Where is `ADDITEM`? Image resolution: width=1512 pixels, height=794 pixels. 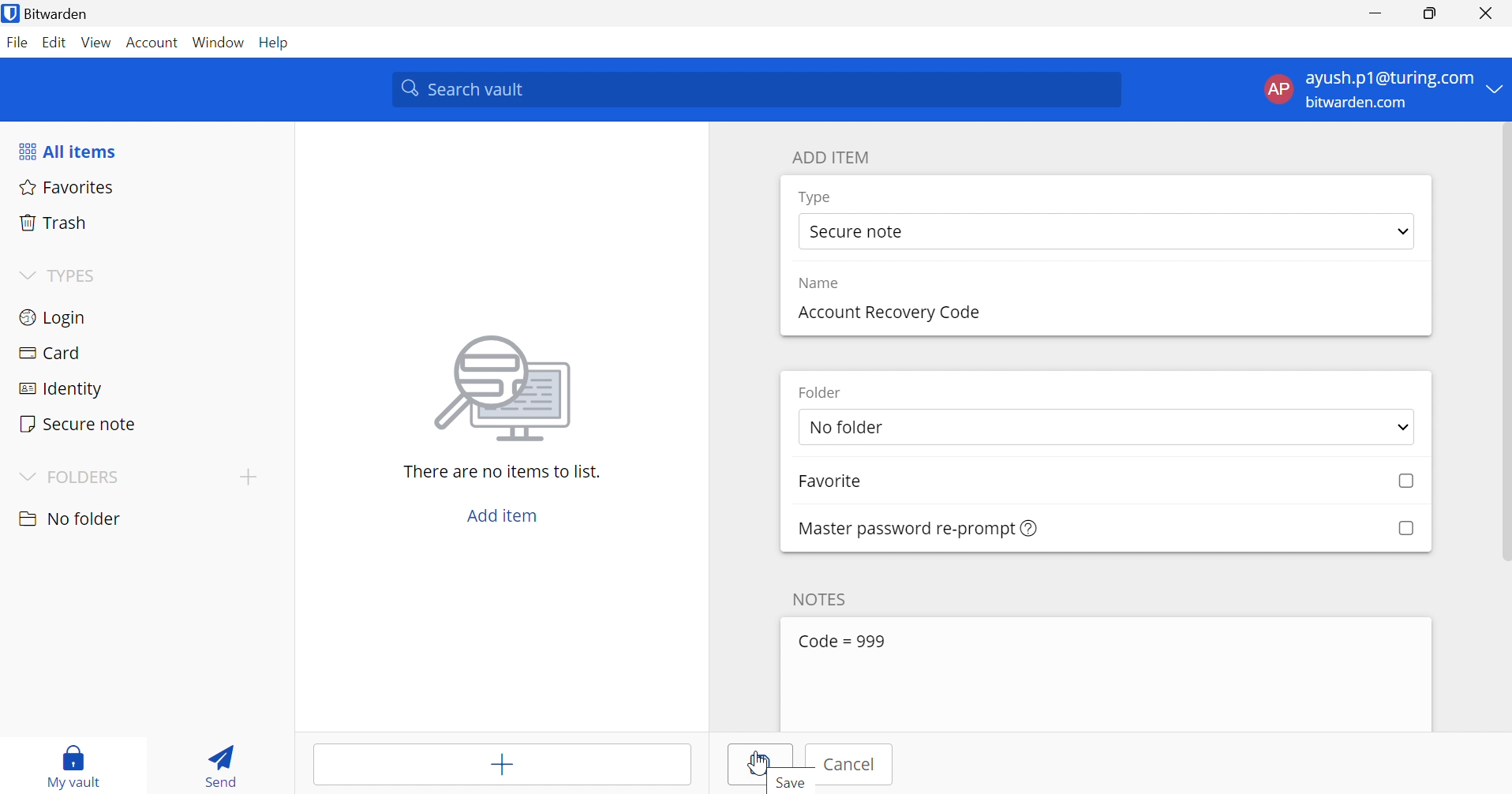 ADDITEM is located at coordinates (835, 157).